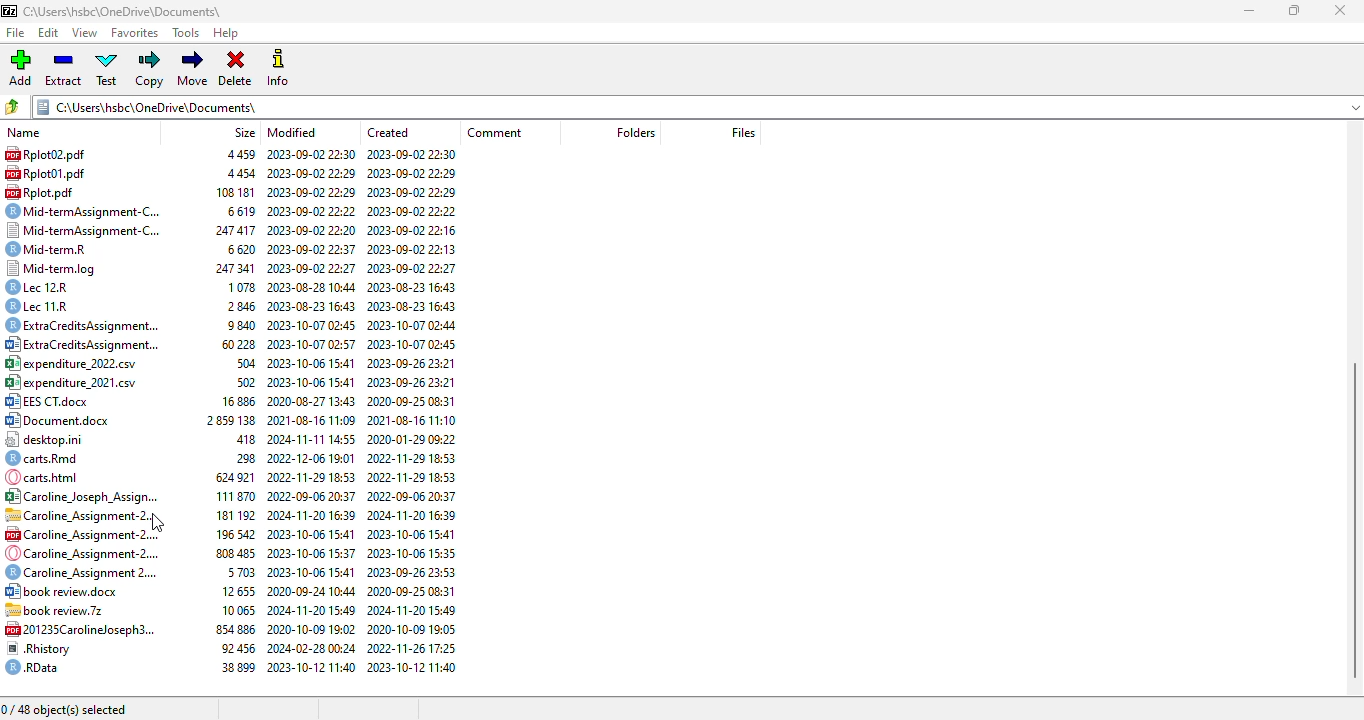 The width and height of the screenshot is (1364, 720). I want to click on 5703, so click(241, 573).